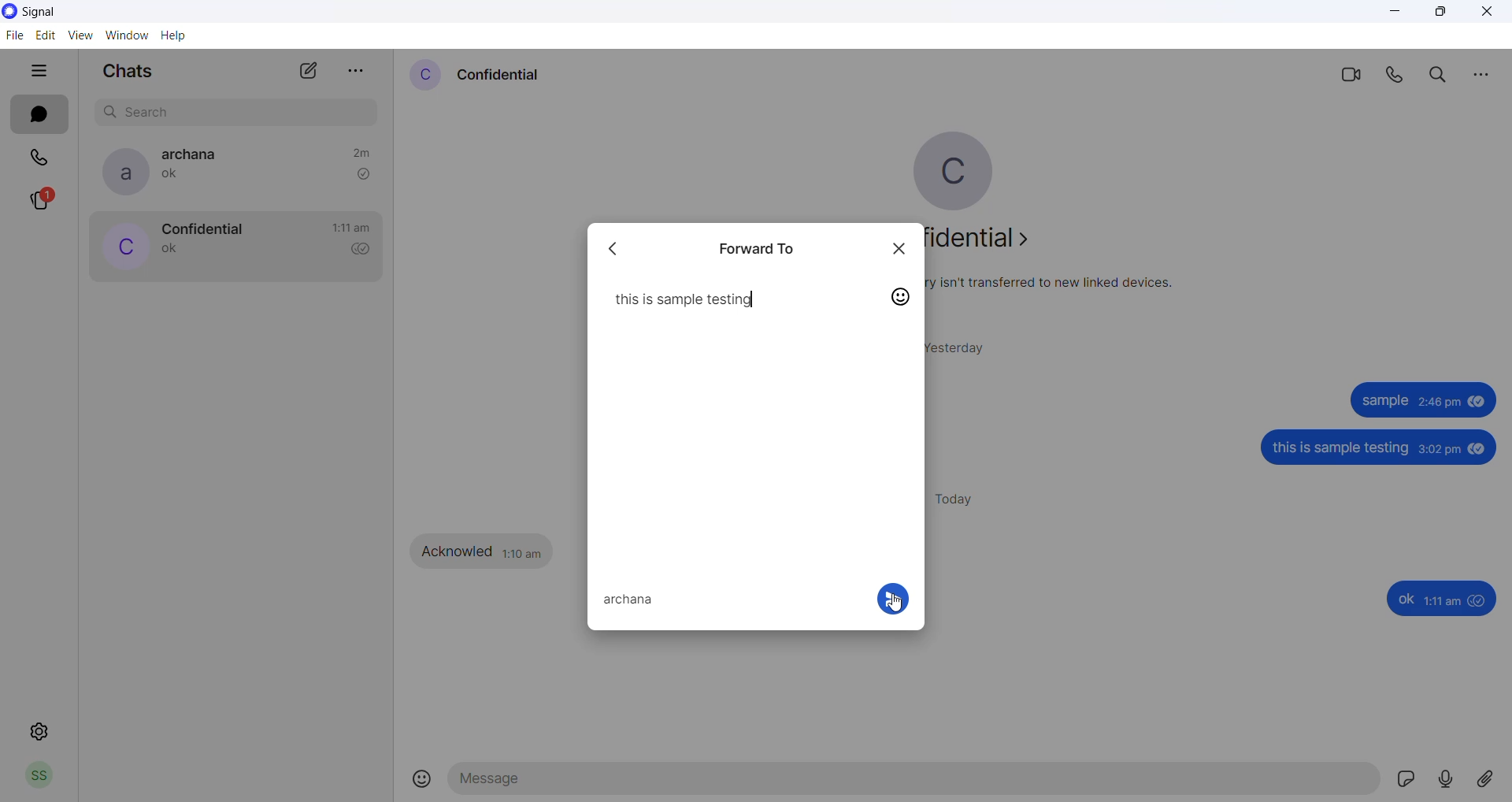  What do you see at coordinates (523, 551) in the screenshot?
I see `1:10 am` at bounding box center [523, 551].